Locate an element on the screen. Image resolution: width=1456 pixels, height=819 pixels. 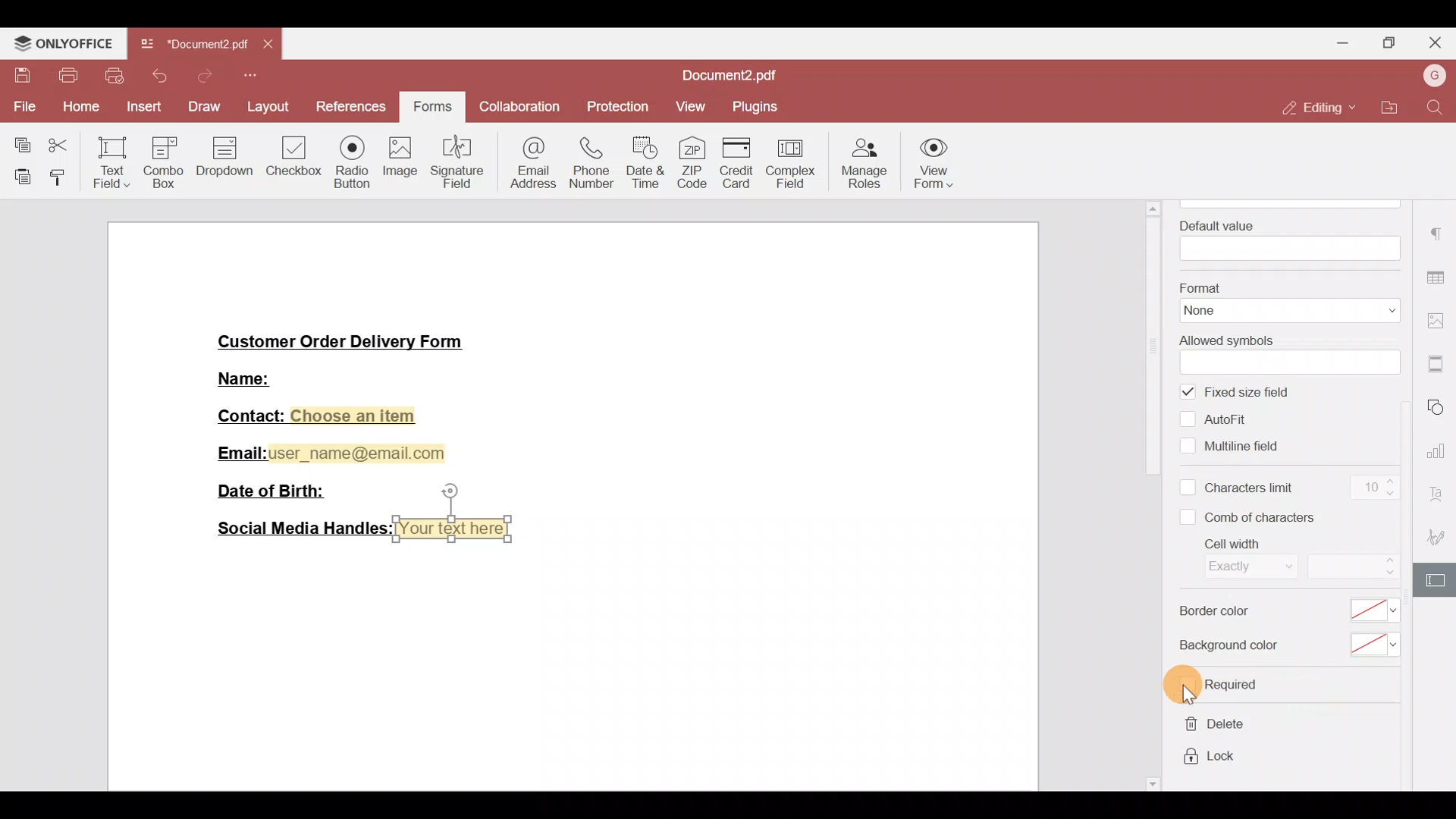
Image settings is located at coordinates (1439, 315).